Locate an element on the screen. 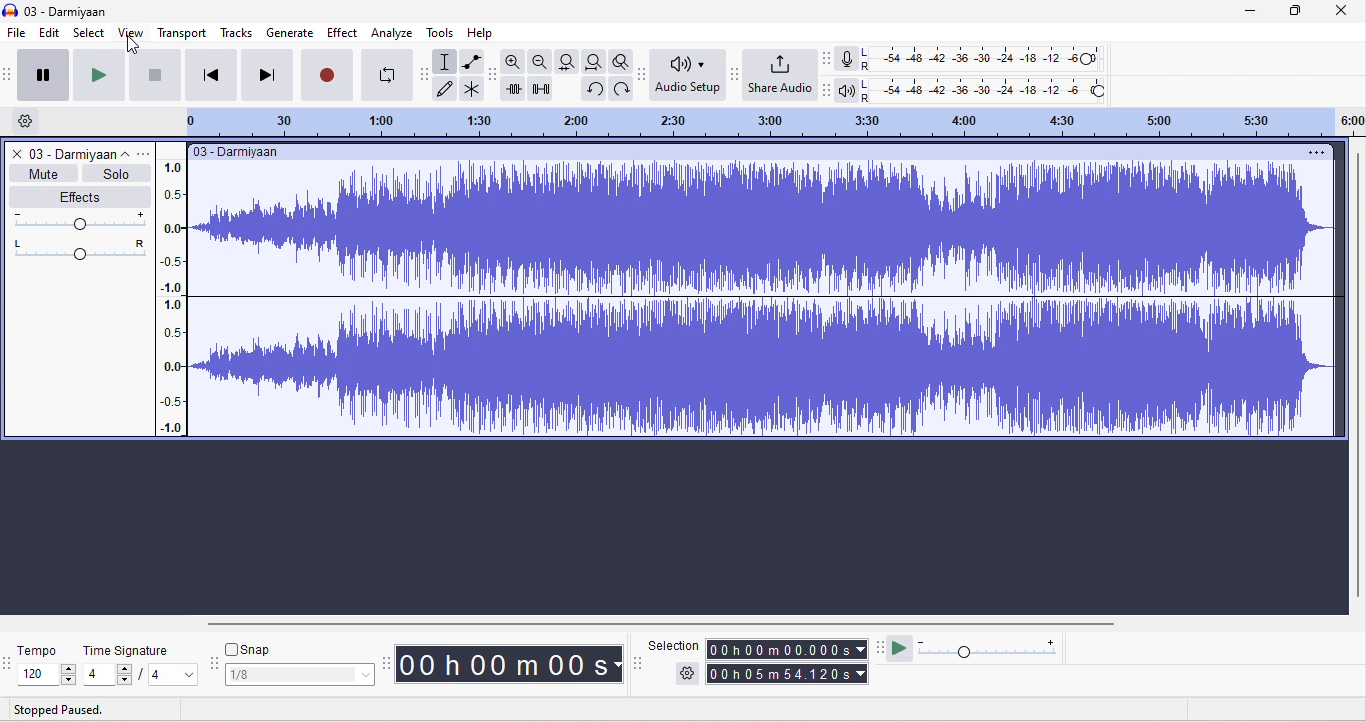 This screenshot has width=1366, height=722. mute is located at coordinates (43, 174).